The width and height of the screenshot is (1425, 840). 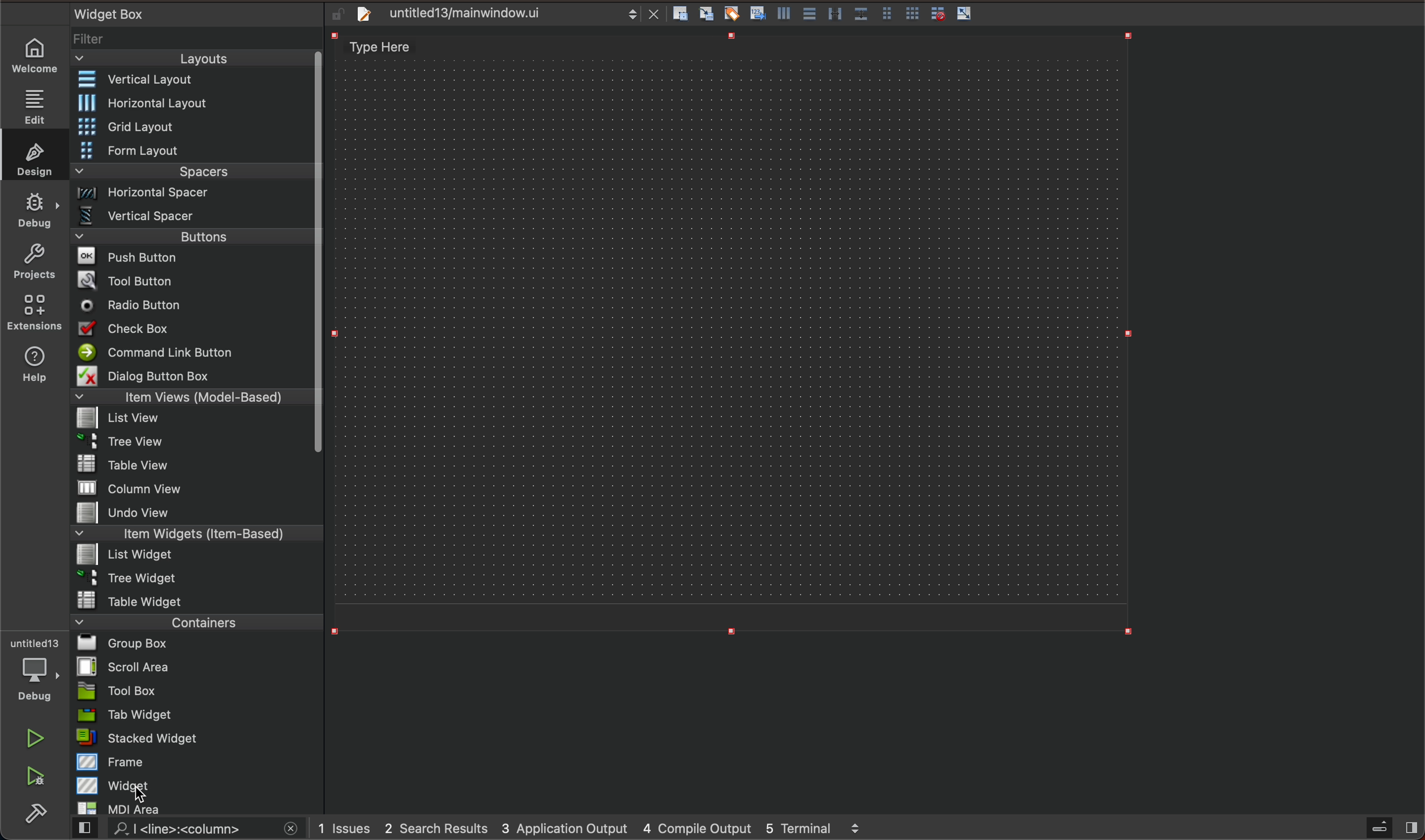 I want to click on list widget, so click(x=193, y=556).